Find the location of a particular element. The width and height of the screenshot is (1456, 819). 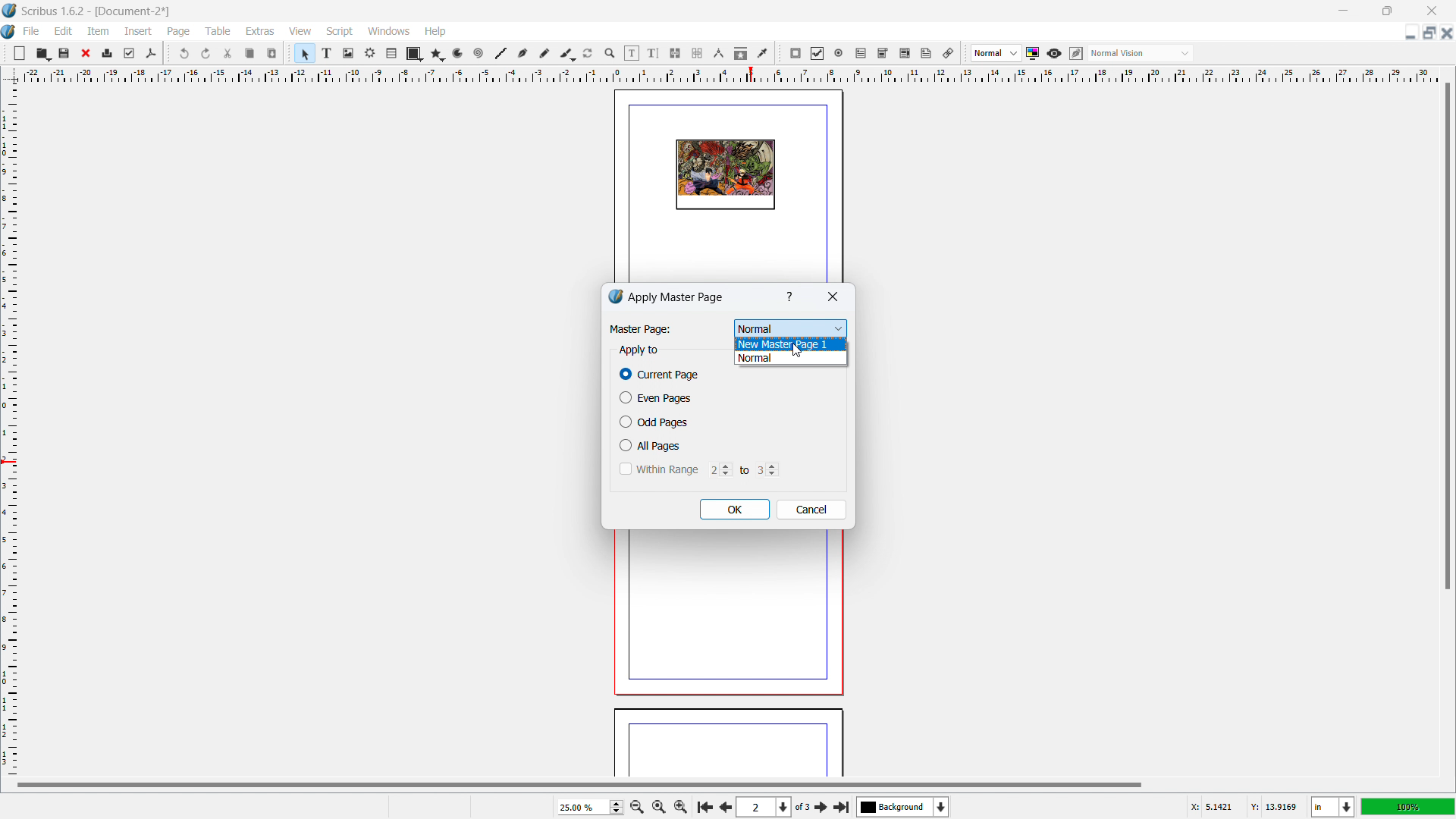

zoom out by the stepping value in tool preference is located at coordinates (636, 806).